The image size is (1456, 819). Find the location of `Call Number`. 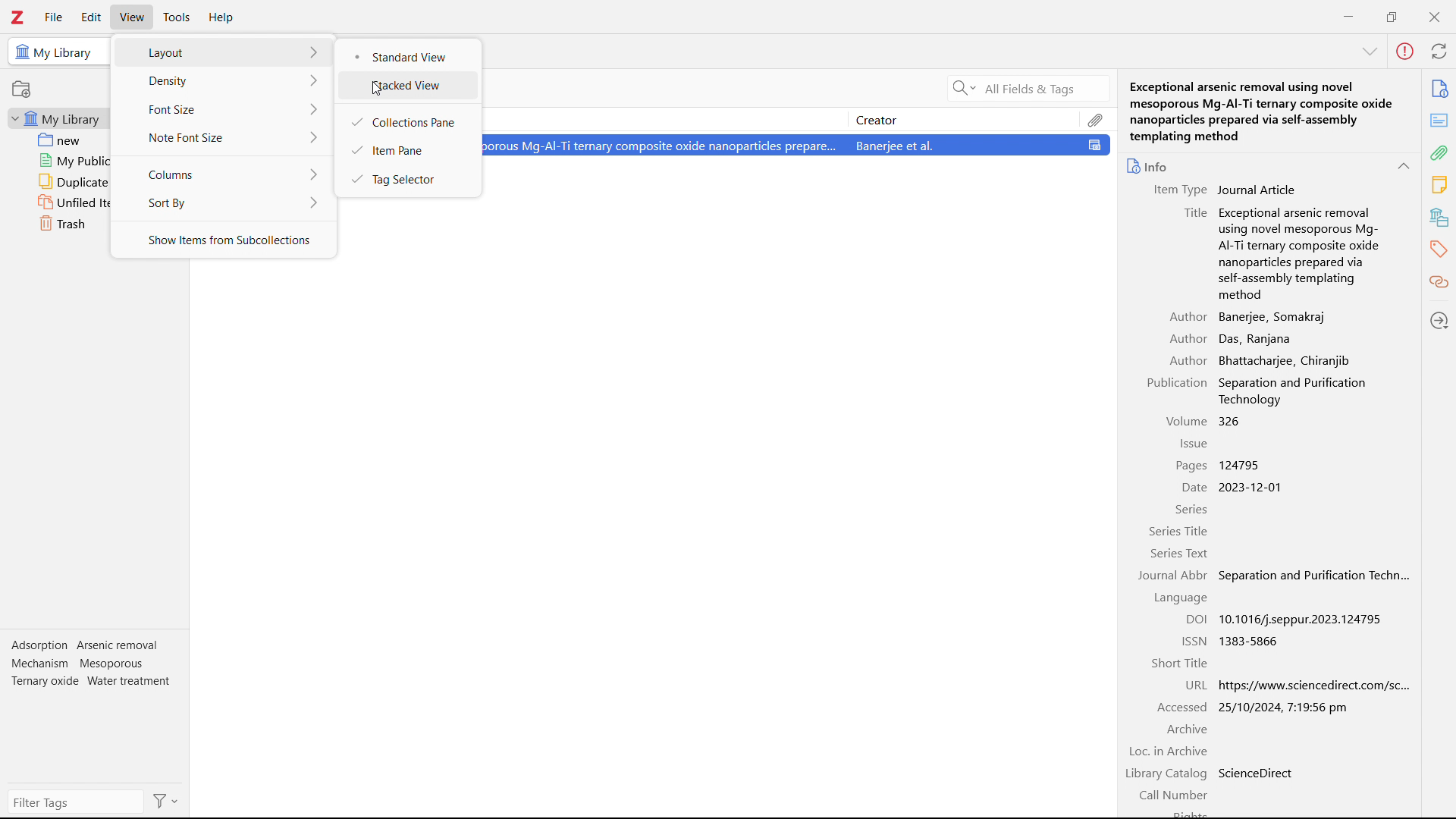

Call Number is located at coordinates (1173, 792).